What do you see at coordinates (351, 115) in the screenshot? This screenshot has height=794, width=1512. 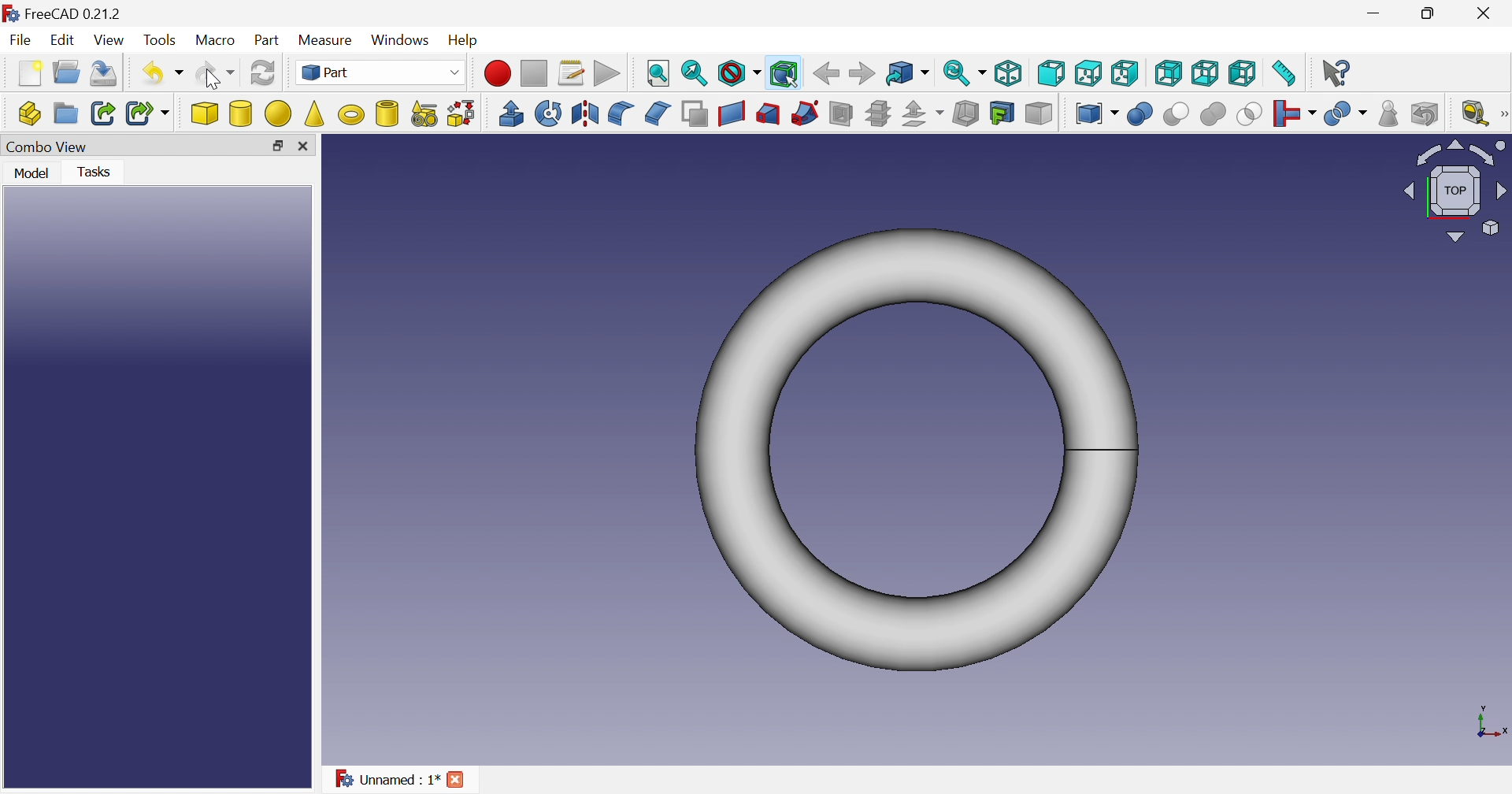 I see `Torus` at bounding box center [351, 115].